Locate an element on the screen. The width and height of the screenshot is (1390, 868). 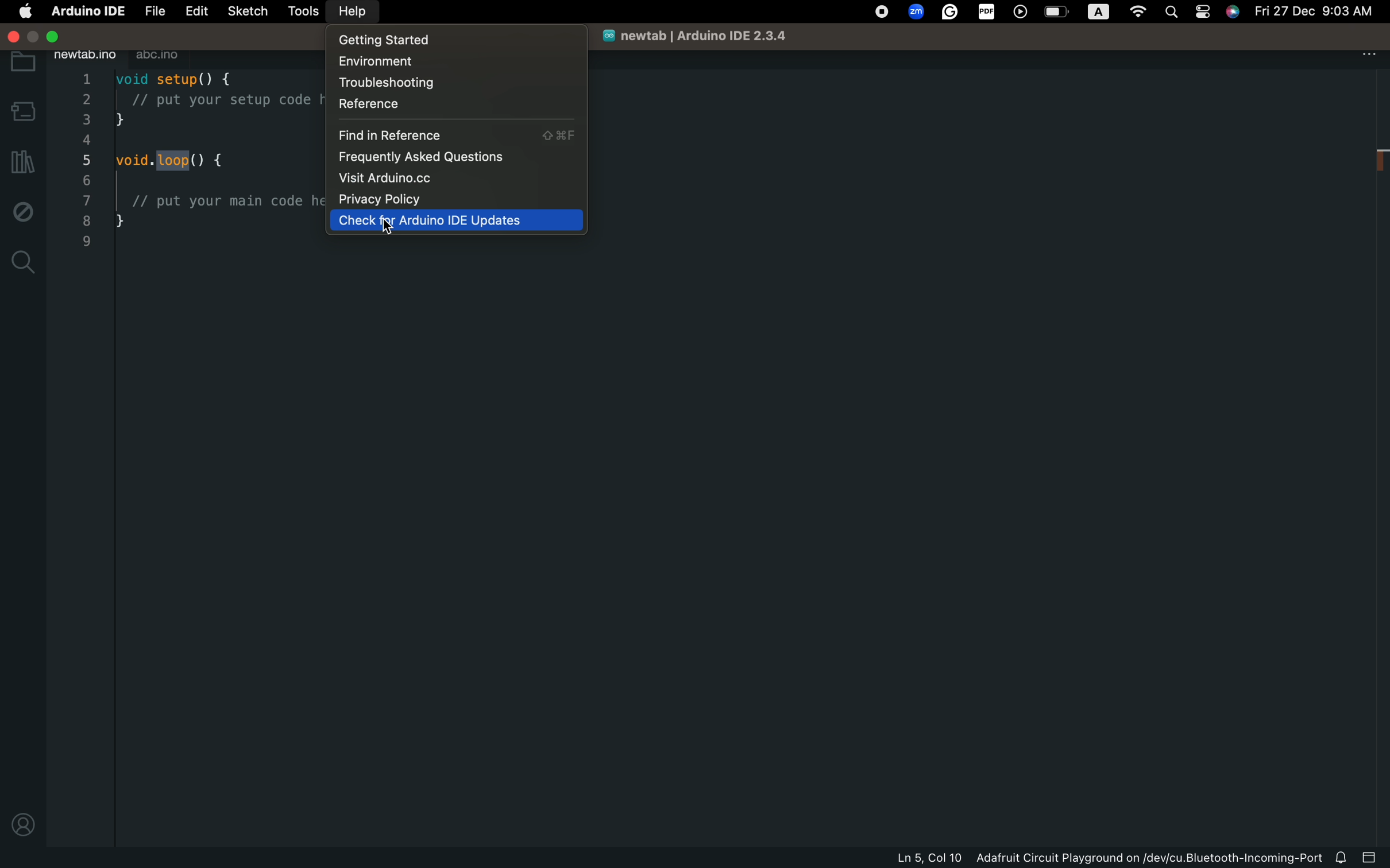
main setting is located at coordinates (24, 13).